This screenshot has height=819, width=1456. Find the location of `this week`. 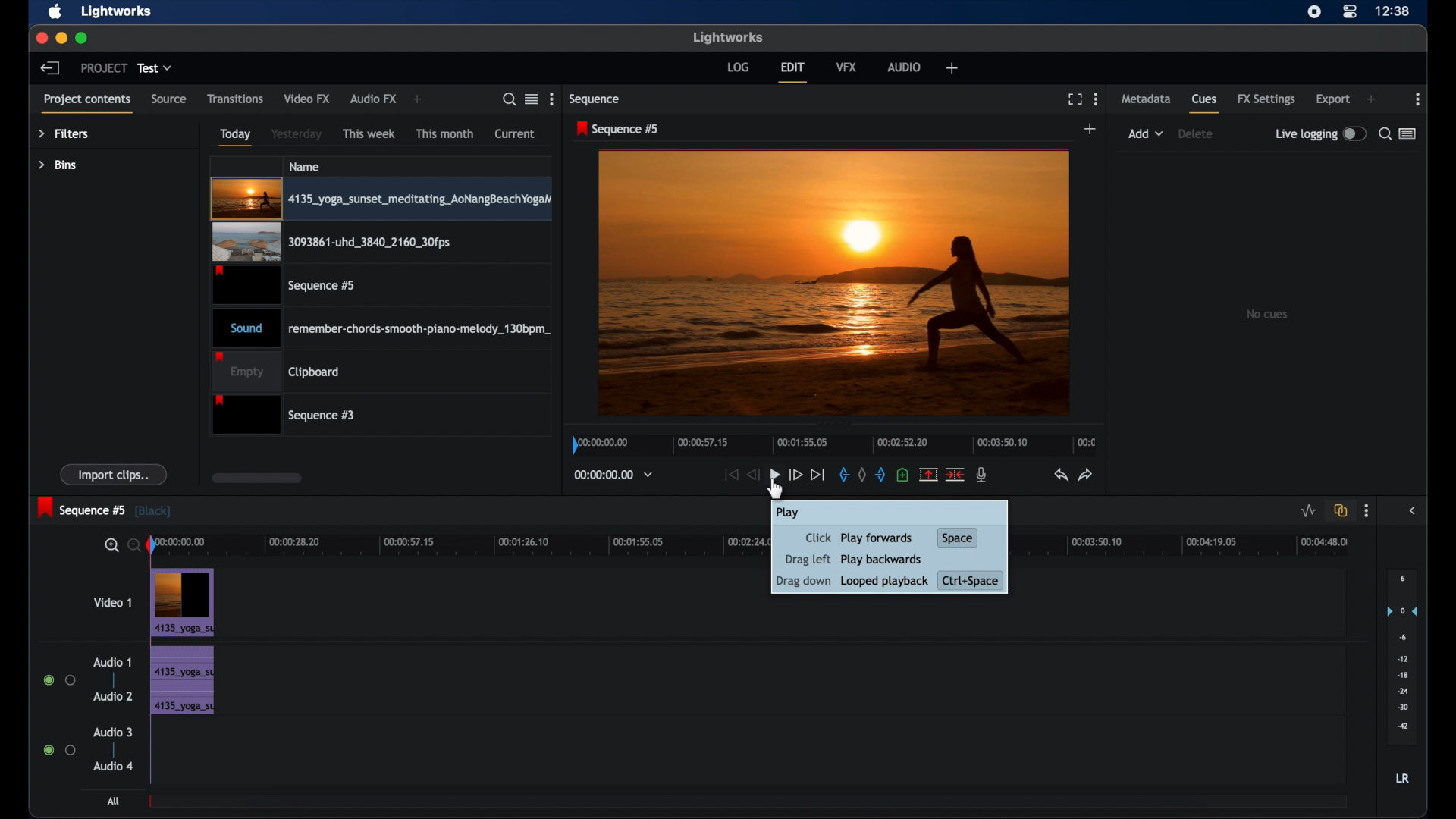

this week is located at coordinates (369, 133).